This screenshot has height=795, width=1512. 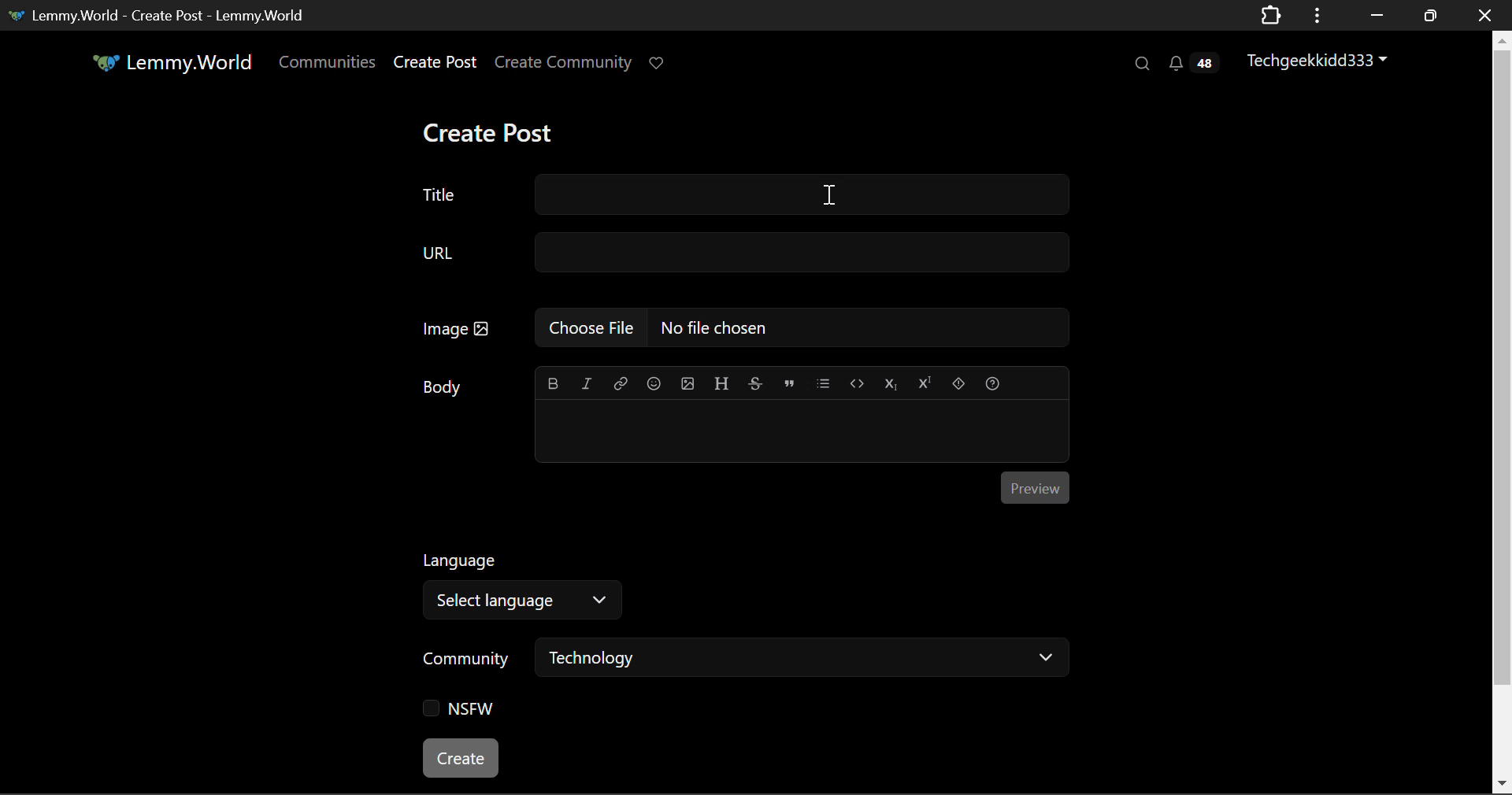 What do you see at coordinates (462, 758) in the screenshot?
I see `Create Post Button` at bounding box center [462, 758].